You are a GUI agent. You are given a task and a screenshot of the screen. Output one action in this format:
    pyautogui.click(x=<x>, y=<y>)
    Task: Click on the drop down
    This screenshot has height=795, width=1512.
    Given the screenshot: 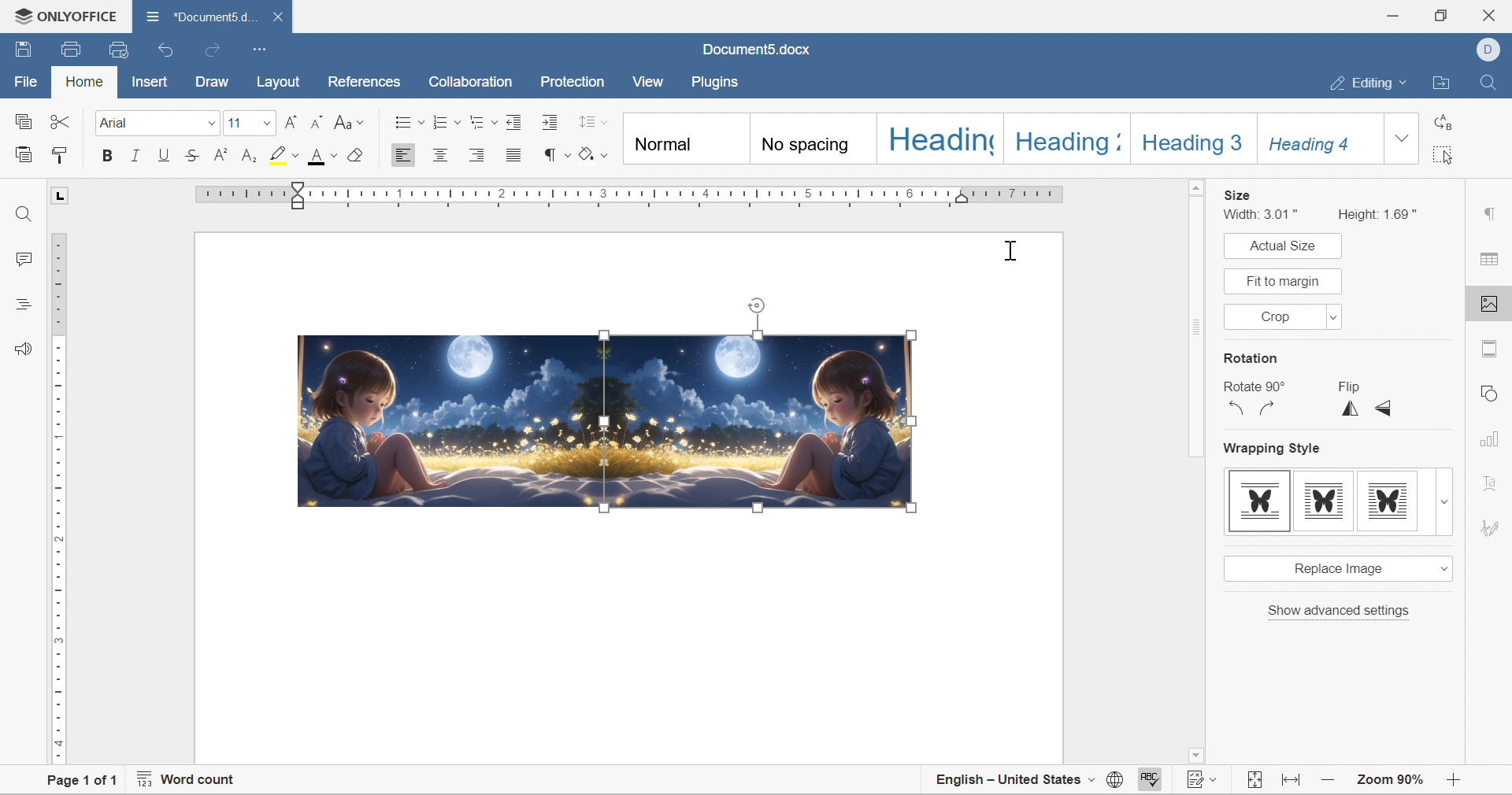 What is the action you would take?
    pyautogui.click(x=210, y=124)
    